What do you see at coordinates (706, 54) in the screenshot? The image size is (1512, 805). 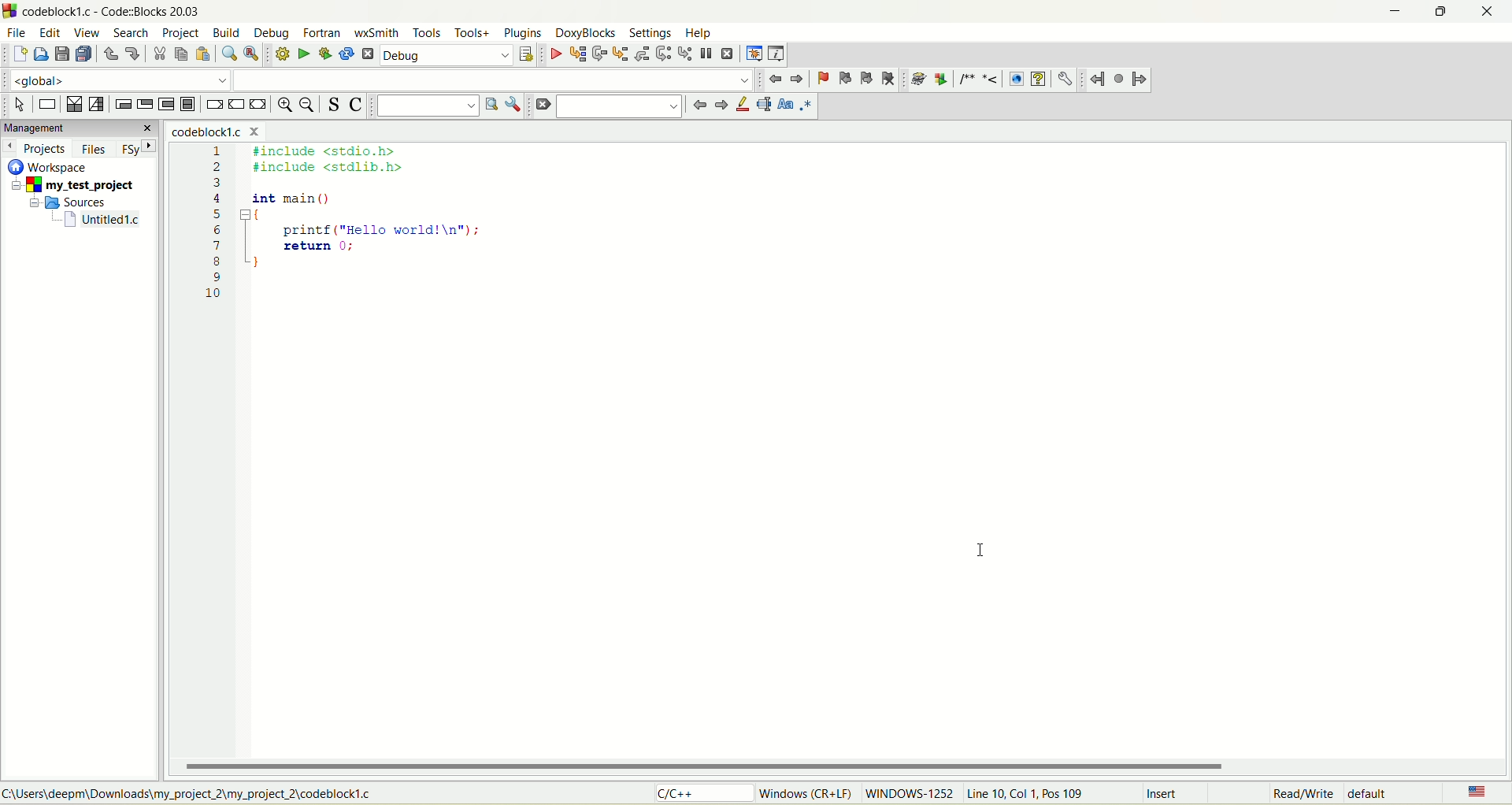 I see `break debugger` at bounding box center [706, 54].